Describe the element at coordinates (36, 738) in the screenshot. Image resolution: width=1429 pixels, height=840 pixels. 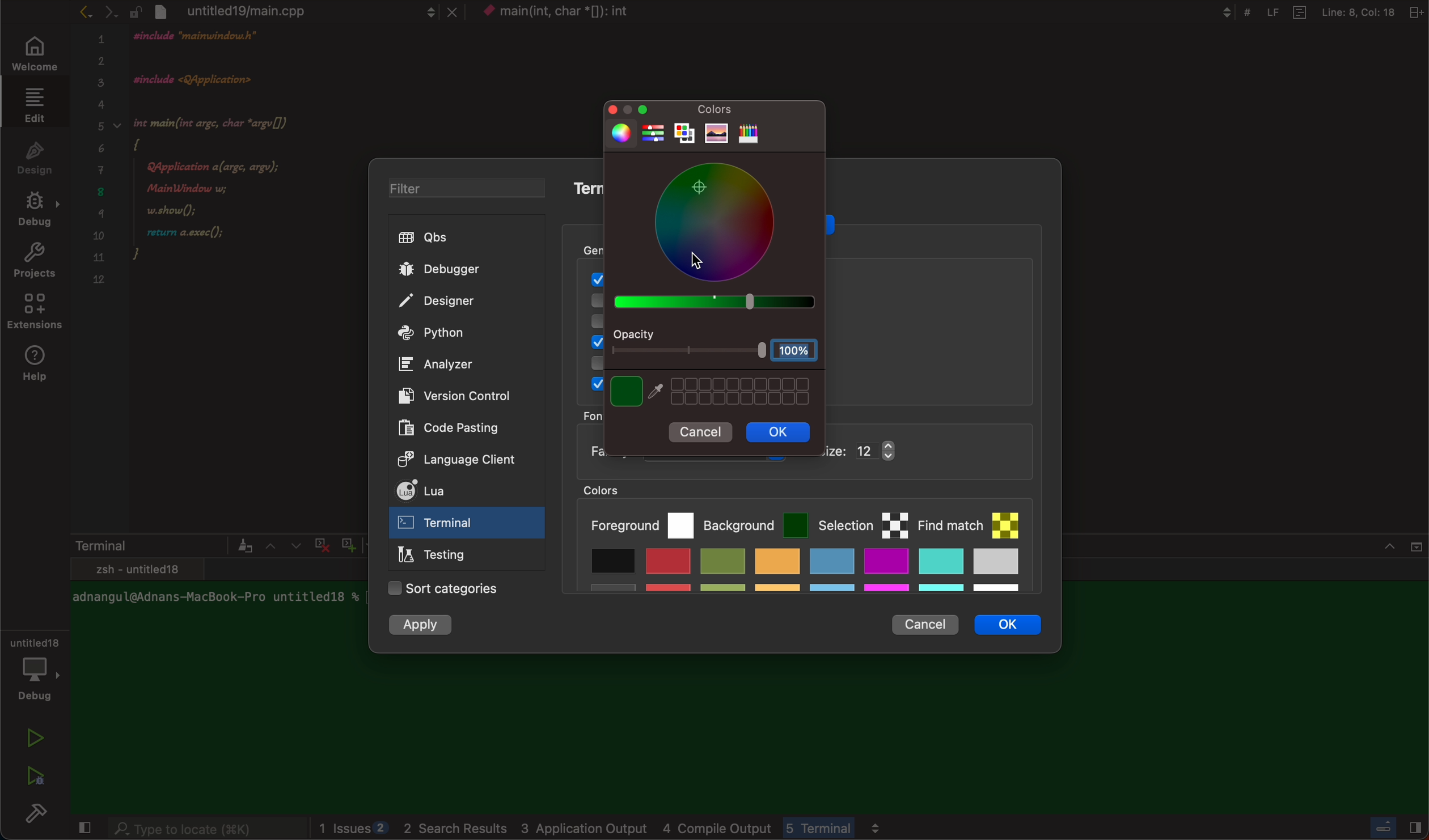
I see `run` at that location.